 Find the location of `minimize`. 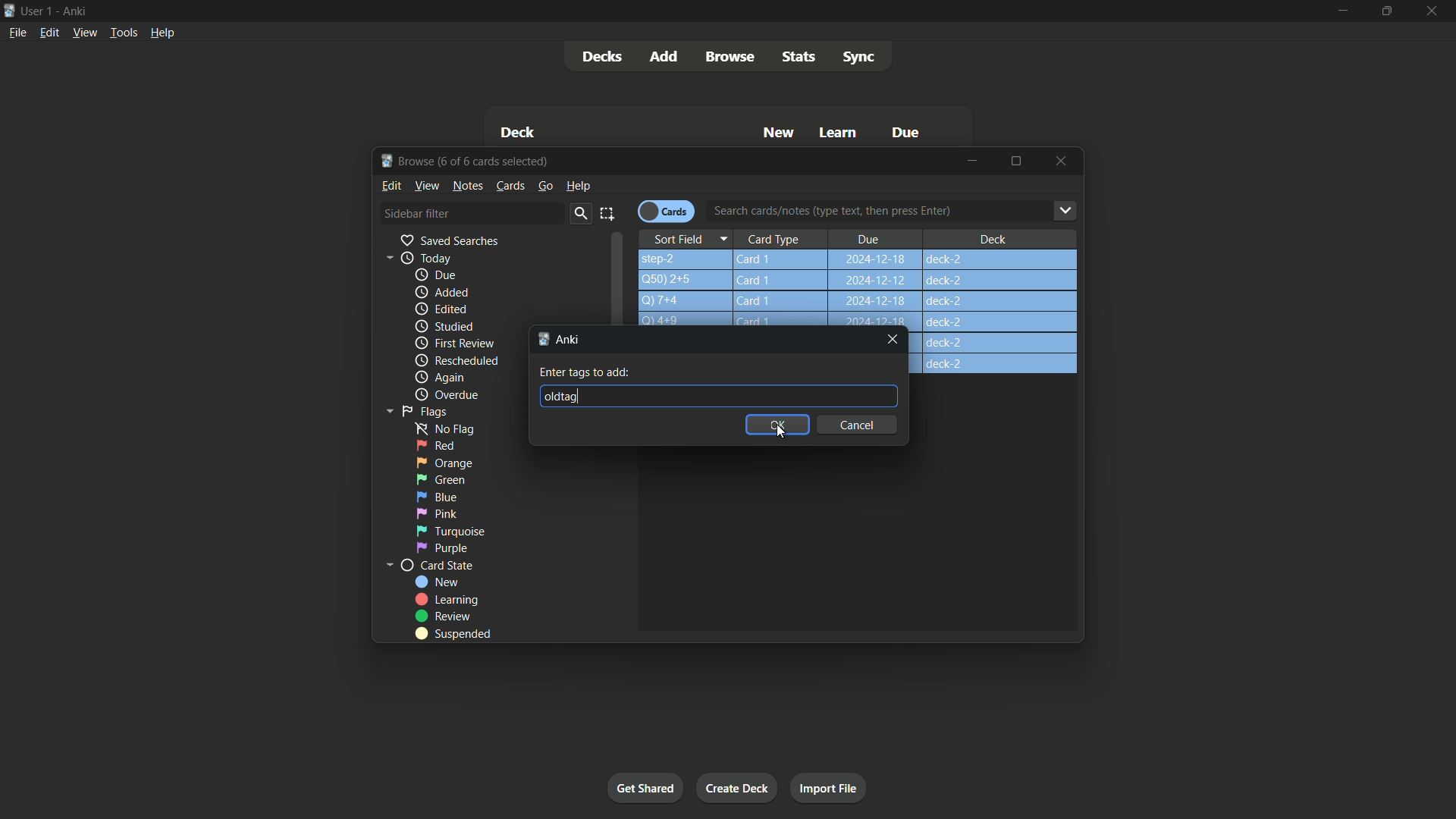

minimize is located at coordinates (973, 162).